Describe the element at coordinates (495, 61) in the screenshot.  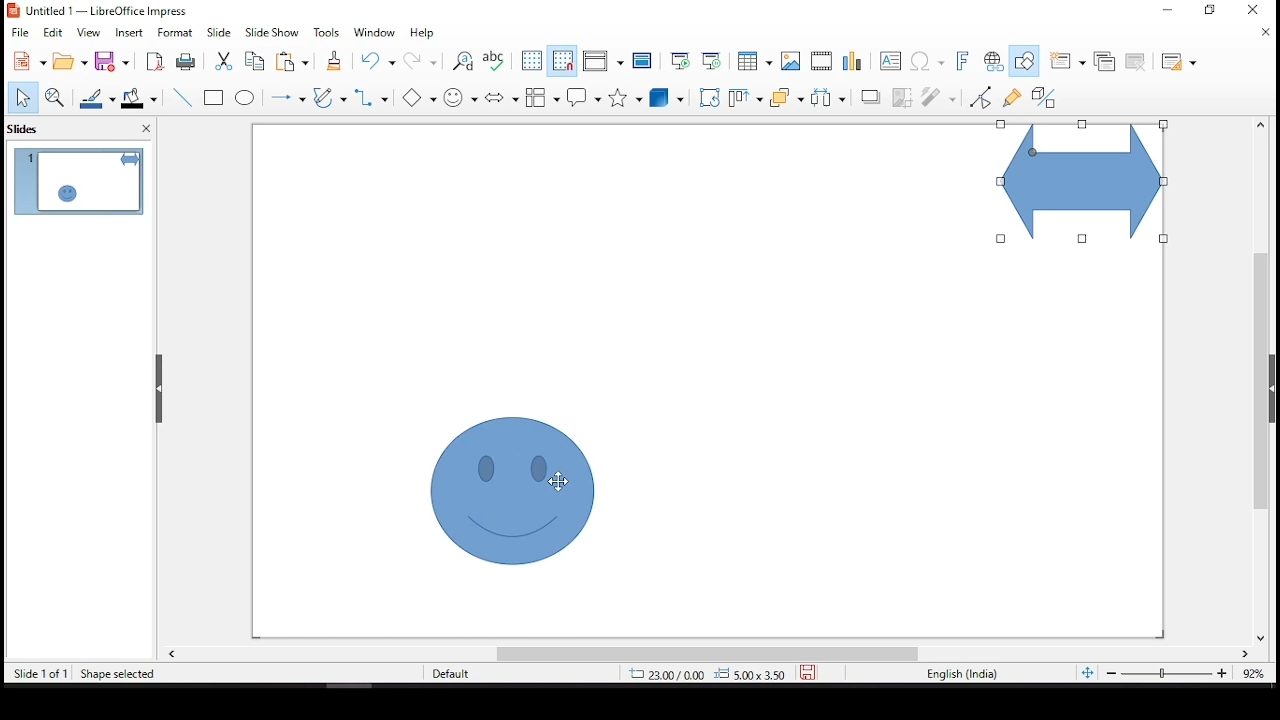
I see `spell check` at that location.